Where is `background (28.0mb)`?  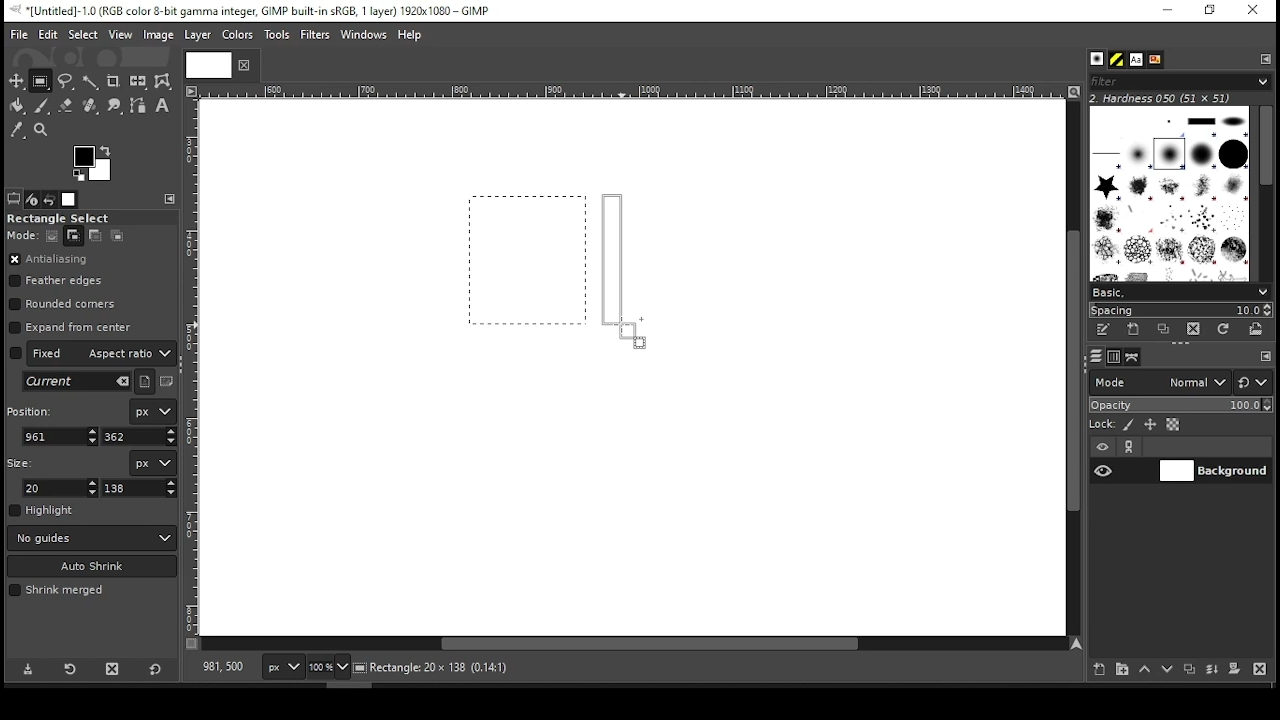
background (28.0mb) is located at coordinates (490, 668).